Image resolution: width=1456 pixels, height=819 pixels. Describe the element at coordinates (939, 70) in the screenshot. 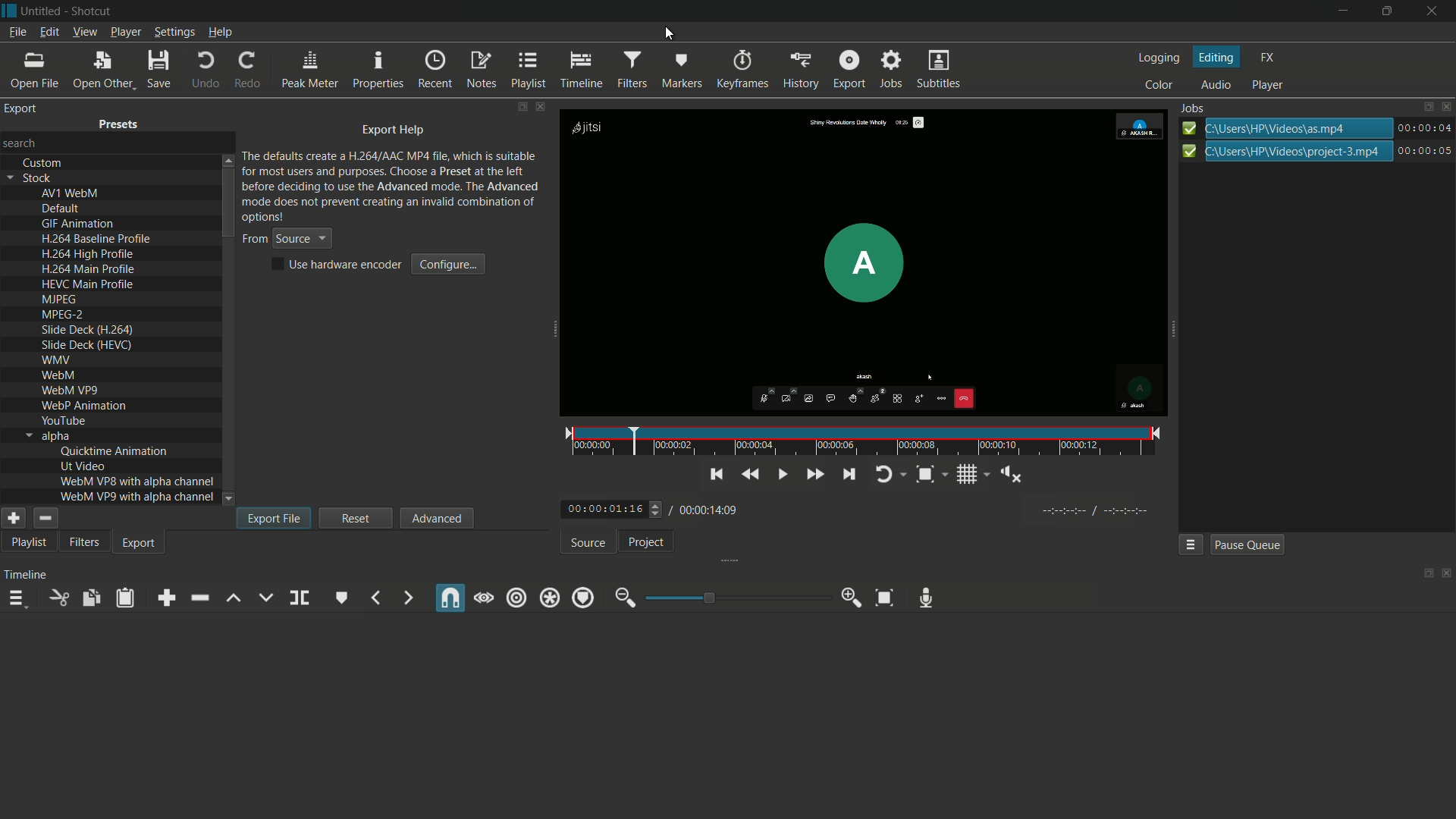

I see `subtitles` at that location.